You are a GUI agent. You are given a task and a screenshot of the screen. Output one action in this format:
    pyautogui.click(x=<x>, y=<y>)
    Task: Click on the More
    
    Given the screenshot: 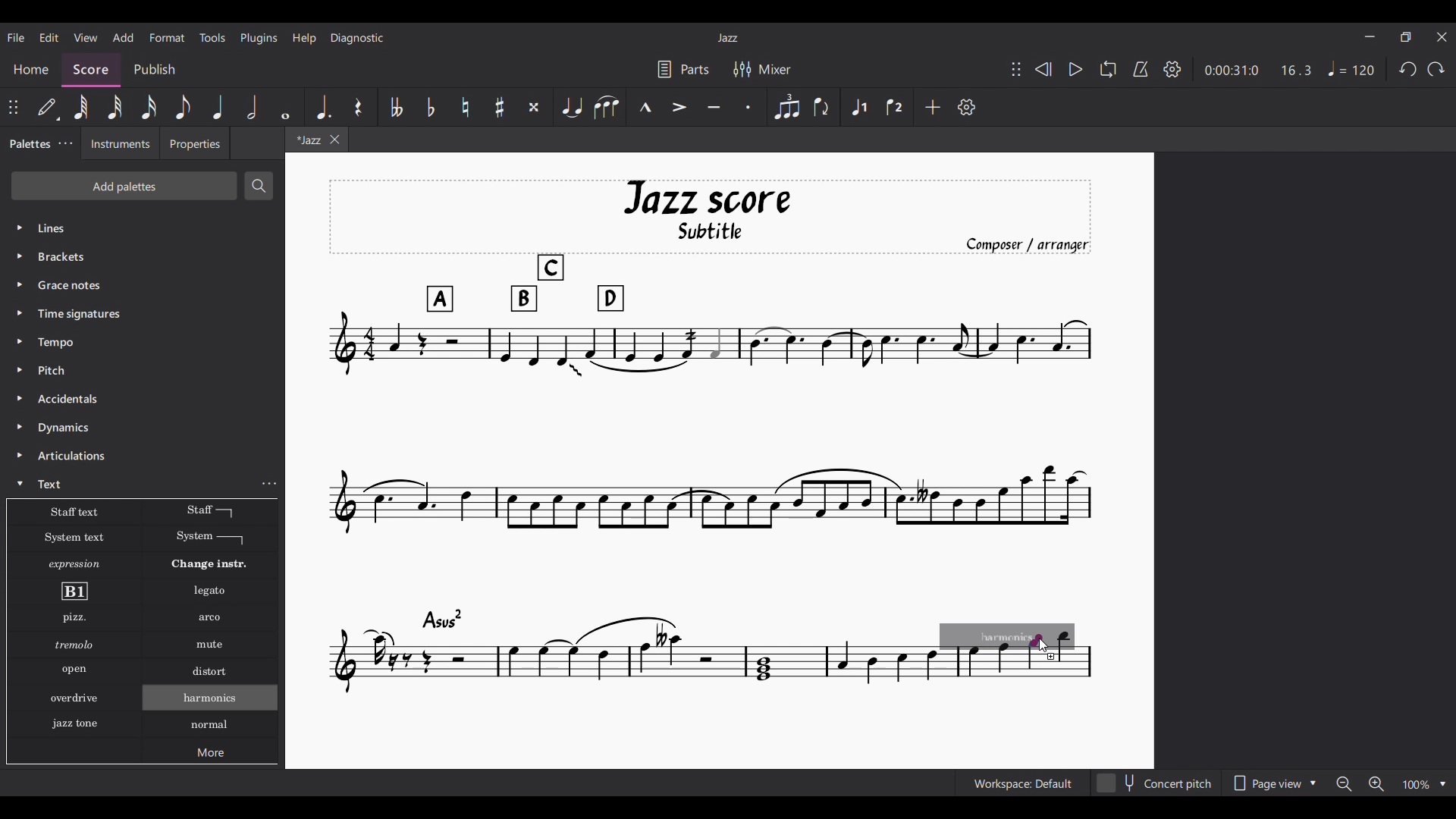 What is the action you would take?
    pyautogui.click(x=213, y=755)
    